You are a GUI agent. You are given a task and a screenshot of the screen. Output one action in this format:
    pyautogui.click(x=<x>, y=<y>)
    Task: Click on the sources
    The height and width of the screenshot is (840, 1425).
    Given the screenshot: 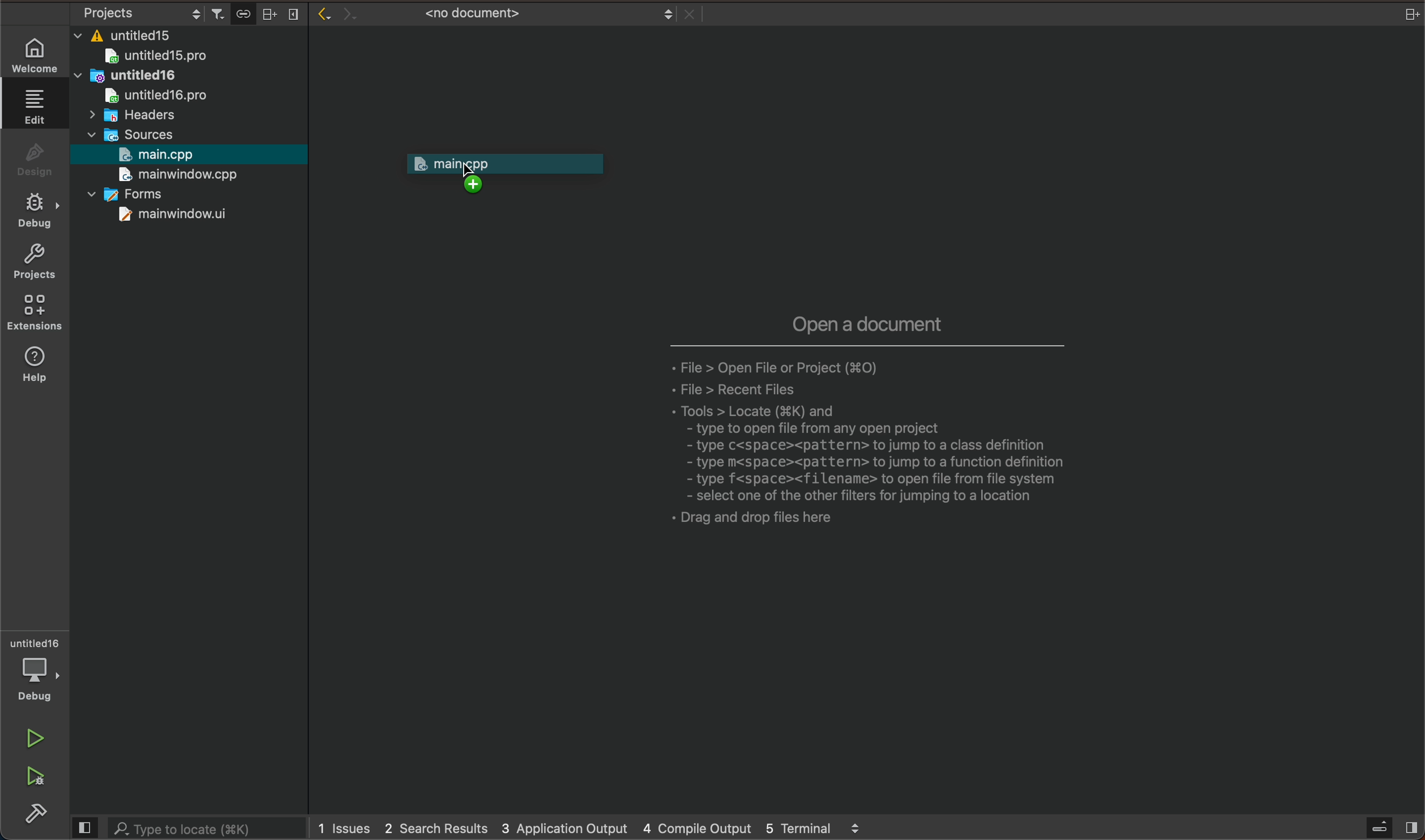 What is the action you would take?
    pyautogui.click(x=140, y=133)
    